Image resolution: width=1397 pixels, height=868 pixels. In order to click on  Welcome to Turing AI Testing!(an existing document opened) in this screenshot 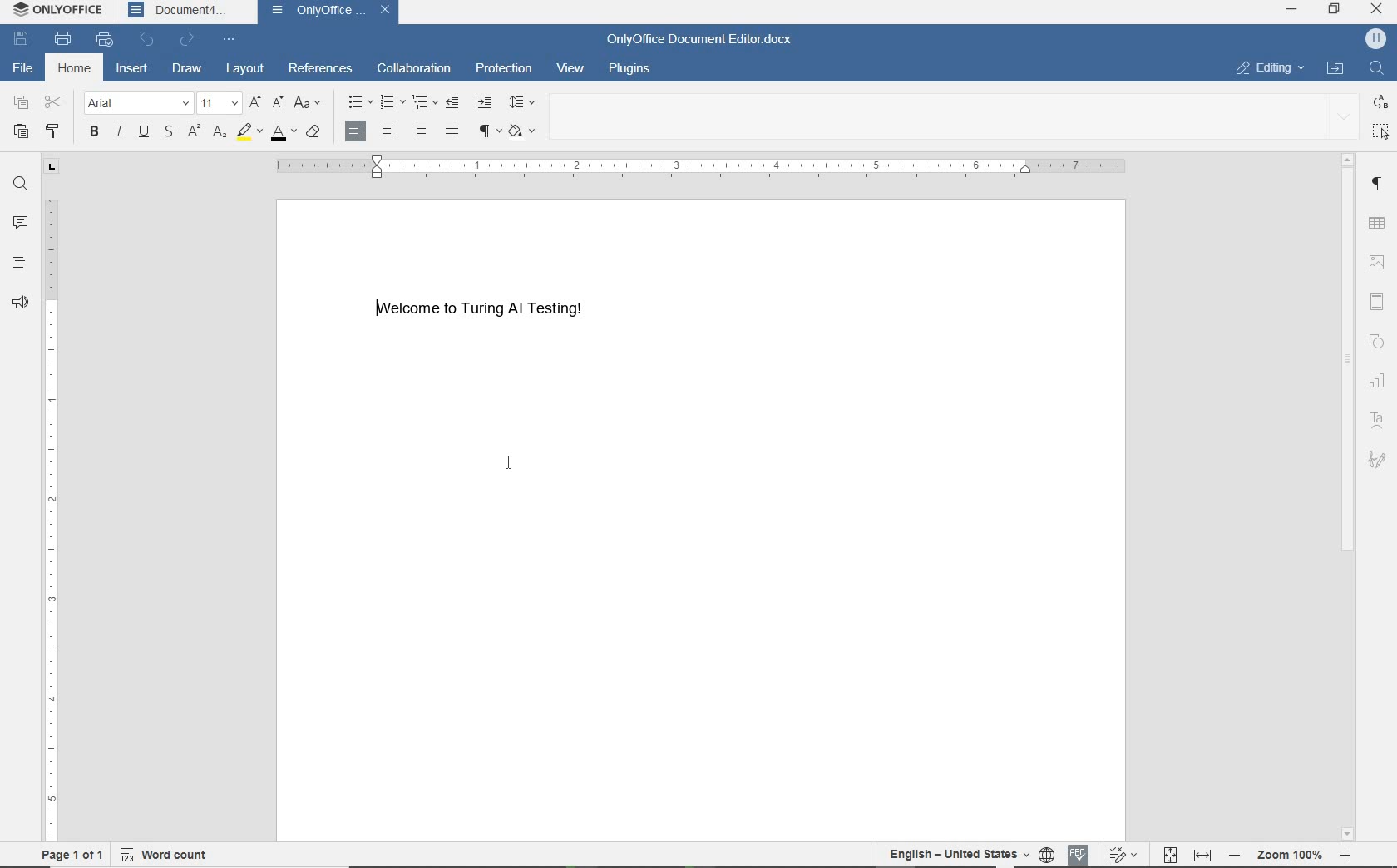, I will do `click(685, 516)`.